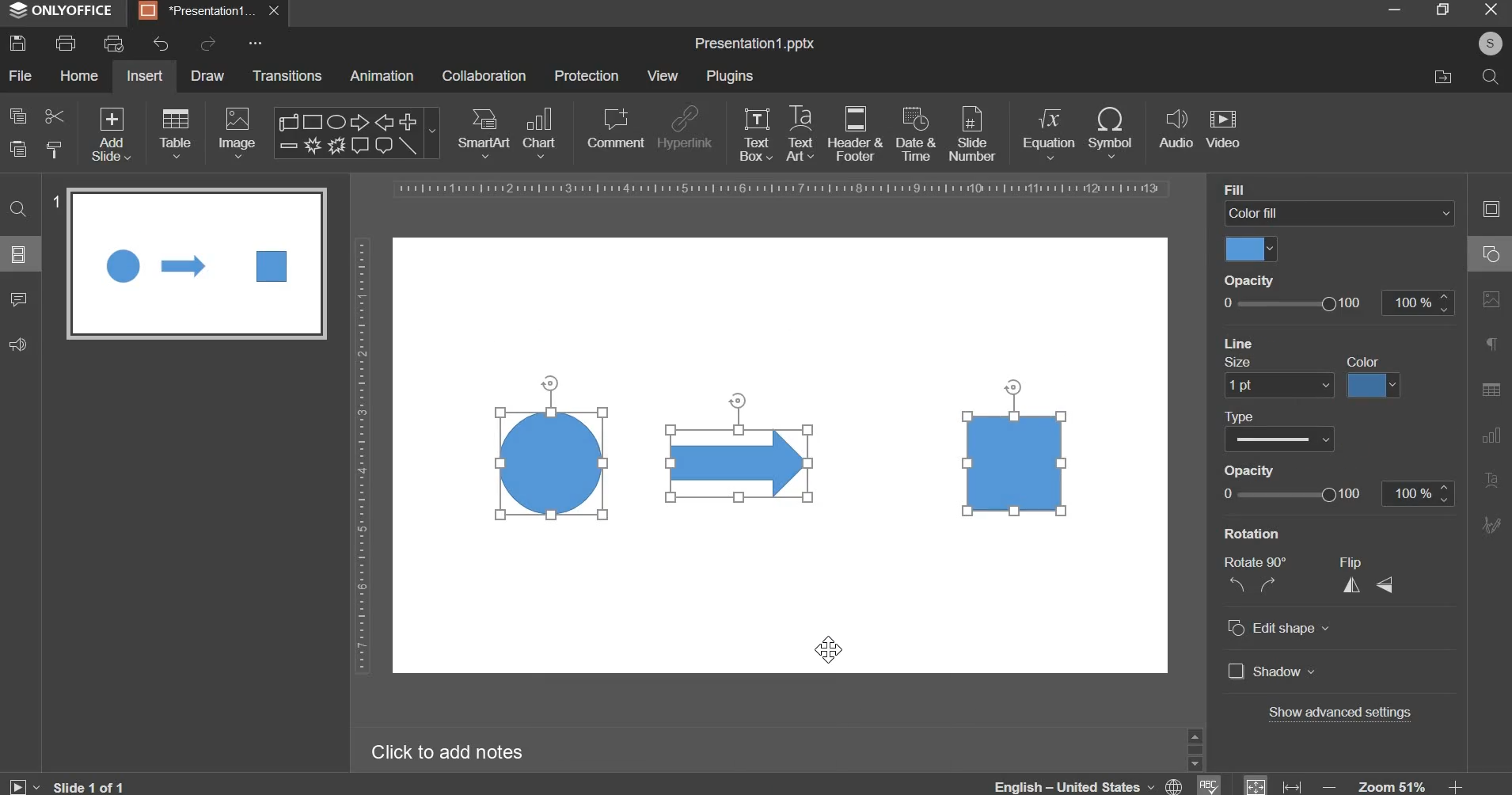 This screenshot has width=1512, height=795. Describe the element at coordinates (684, 130) in the screenshot. I see `hyperlink` at that location.